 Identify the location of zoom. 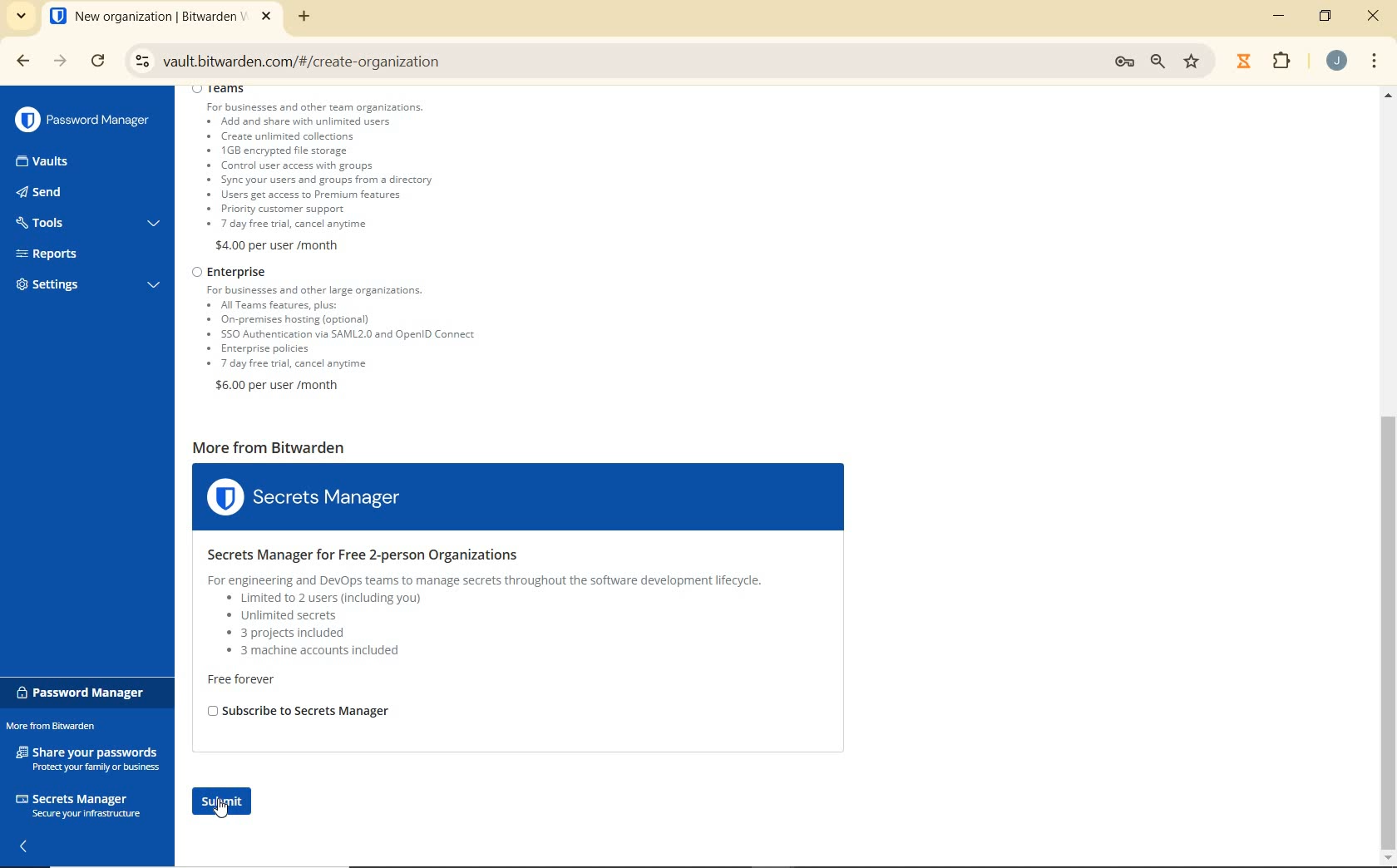
(1160, 62).